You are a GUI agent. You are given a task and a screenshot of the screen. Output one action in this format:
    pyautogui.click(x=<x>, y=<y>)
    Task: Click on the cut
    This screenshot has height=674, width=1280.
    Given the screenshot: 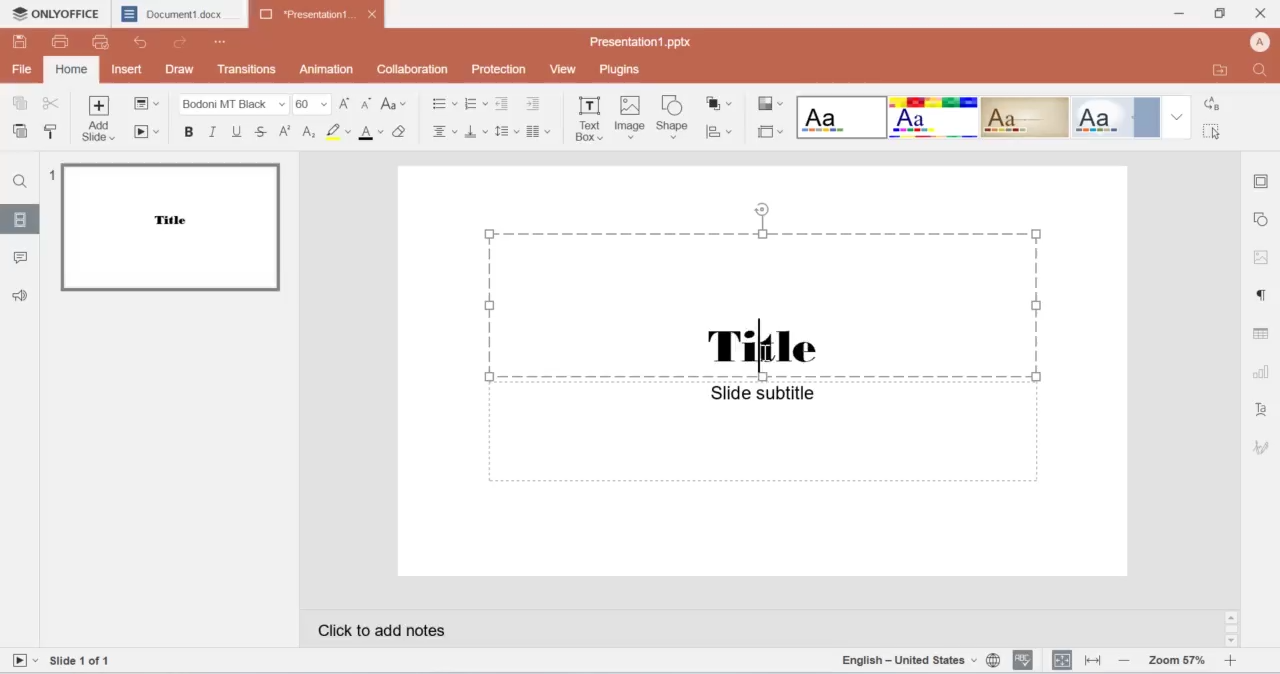 What is the action you would take?
    pyautogui.click(x=52, y=105)
    